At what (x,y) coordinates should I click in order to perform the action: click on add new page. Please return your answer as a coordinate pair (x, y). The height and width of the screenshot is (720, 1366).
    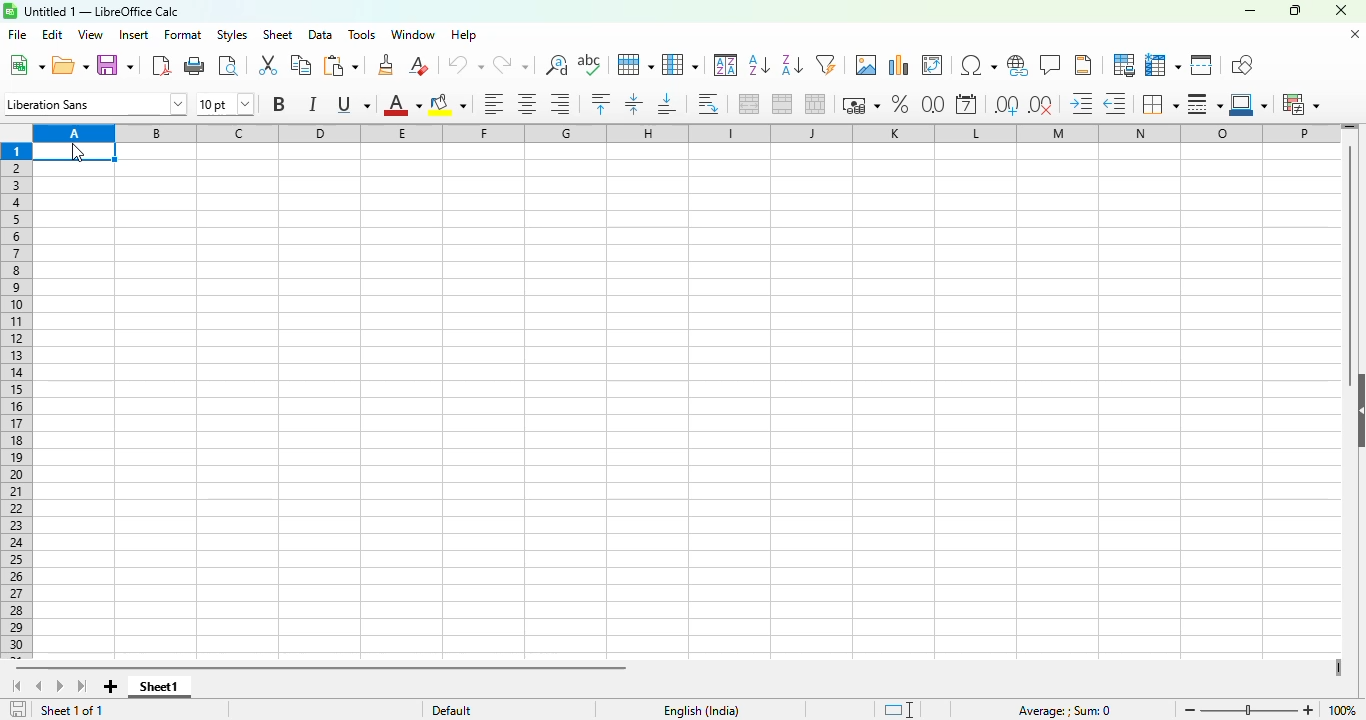
    Looking at the image, I should click on (111, 687).